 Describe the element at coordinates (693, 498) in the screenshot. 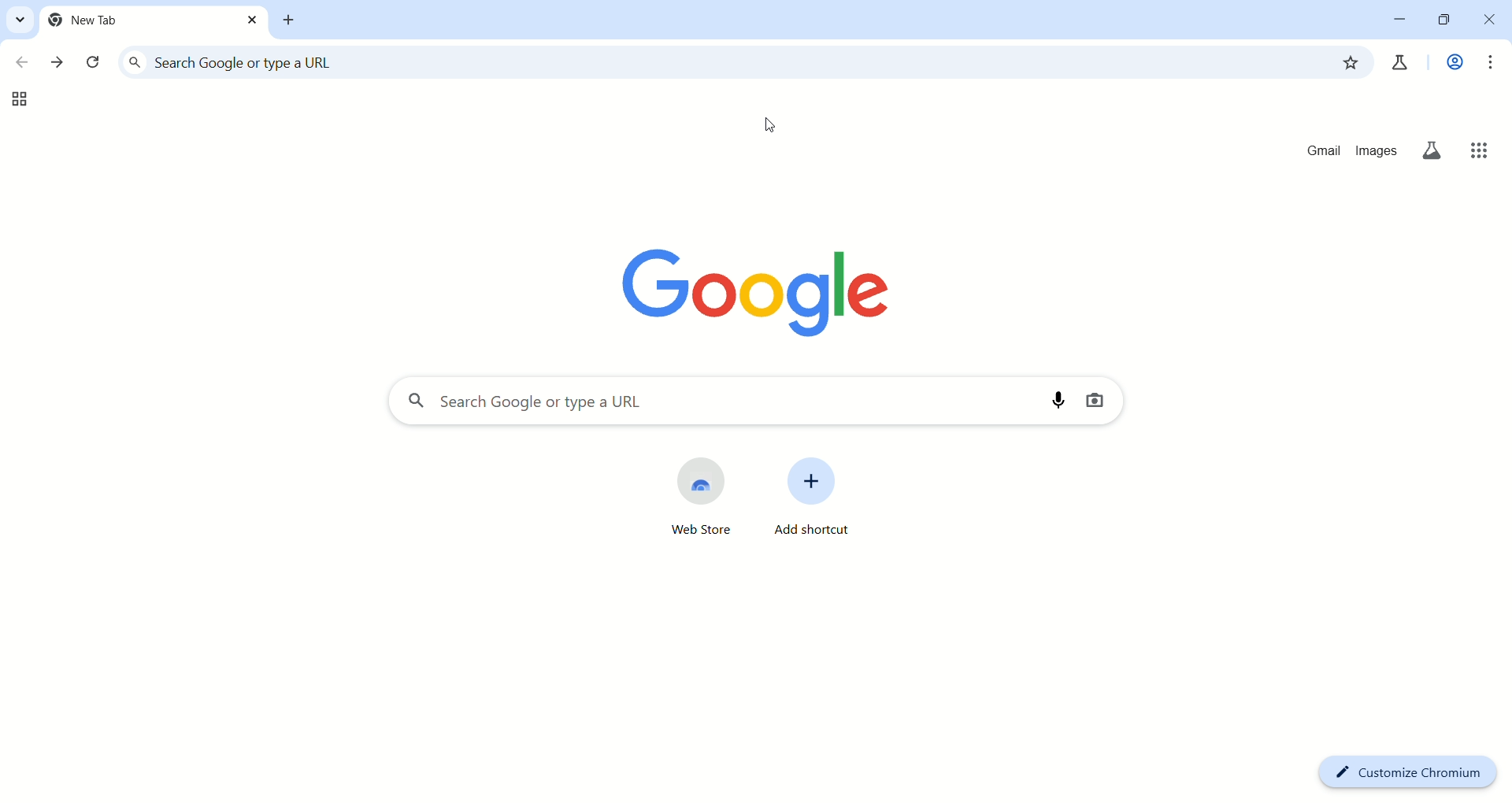

I see `web store` at that location.